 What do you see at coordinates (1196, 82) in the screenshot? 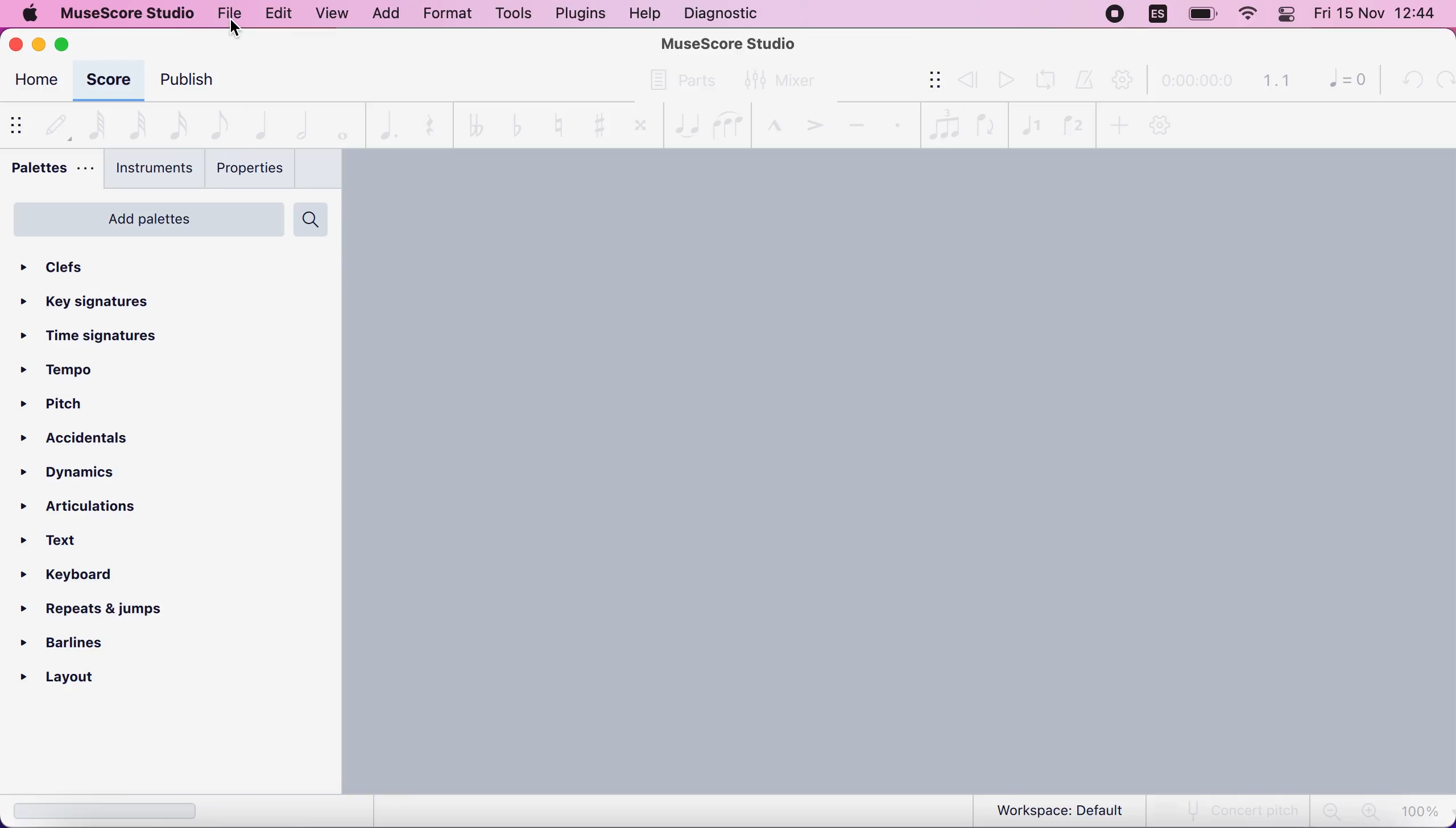
I see `time` at bounding box center [1196, 82].